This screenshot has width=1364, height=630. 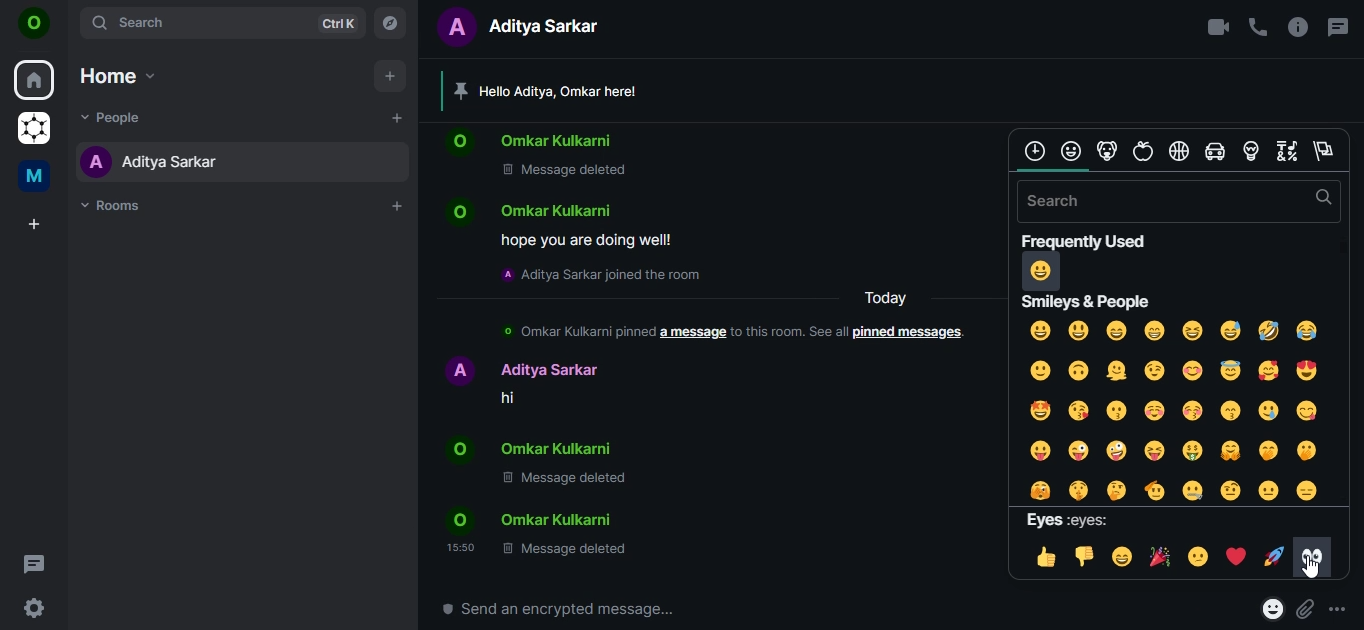 What do you see at coordinates (1191, 370) in the screenshot?
I see `smiling face with smiling smile` at bounding box center [1191, 370].